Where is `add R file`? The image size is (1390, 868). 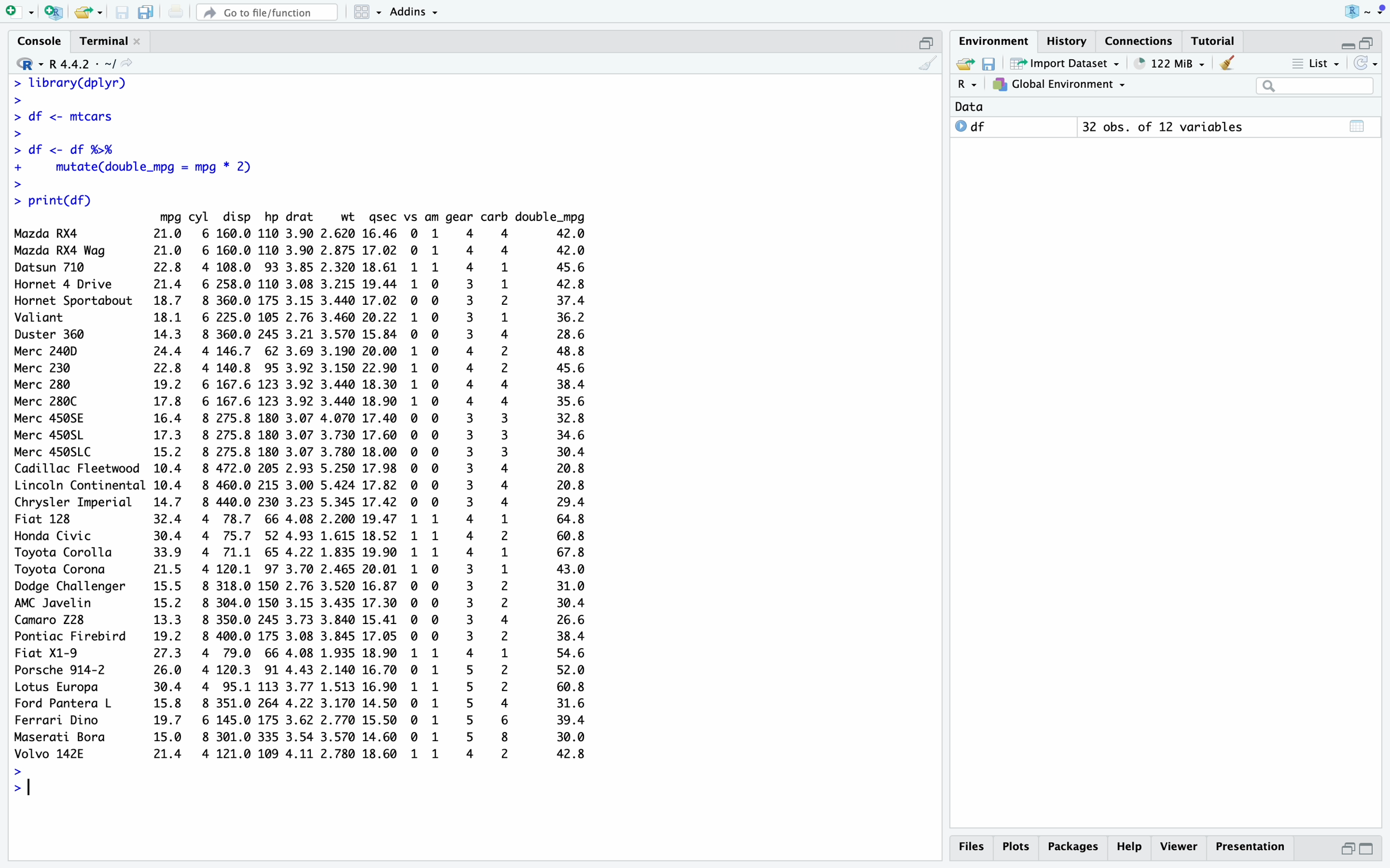 add R file is located at coordinates (55, 13).